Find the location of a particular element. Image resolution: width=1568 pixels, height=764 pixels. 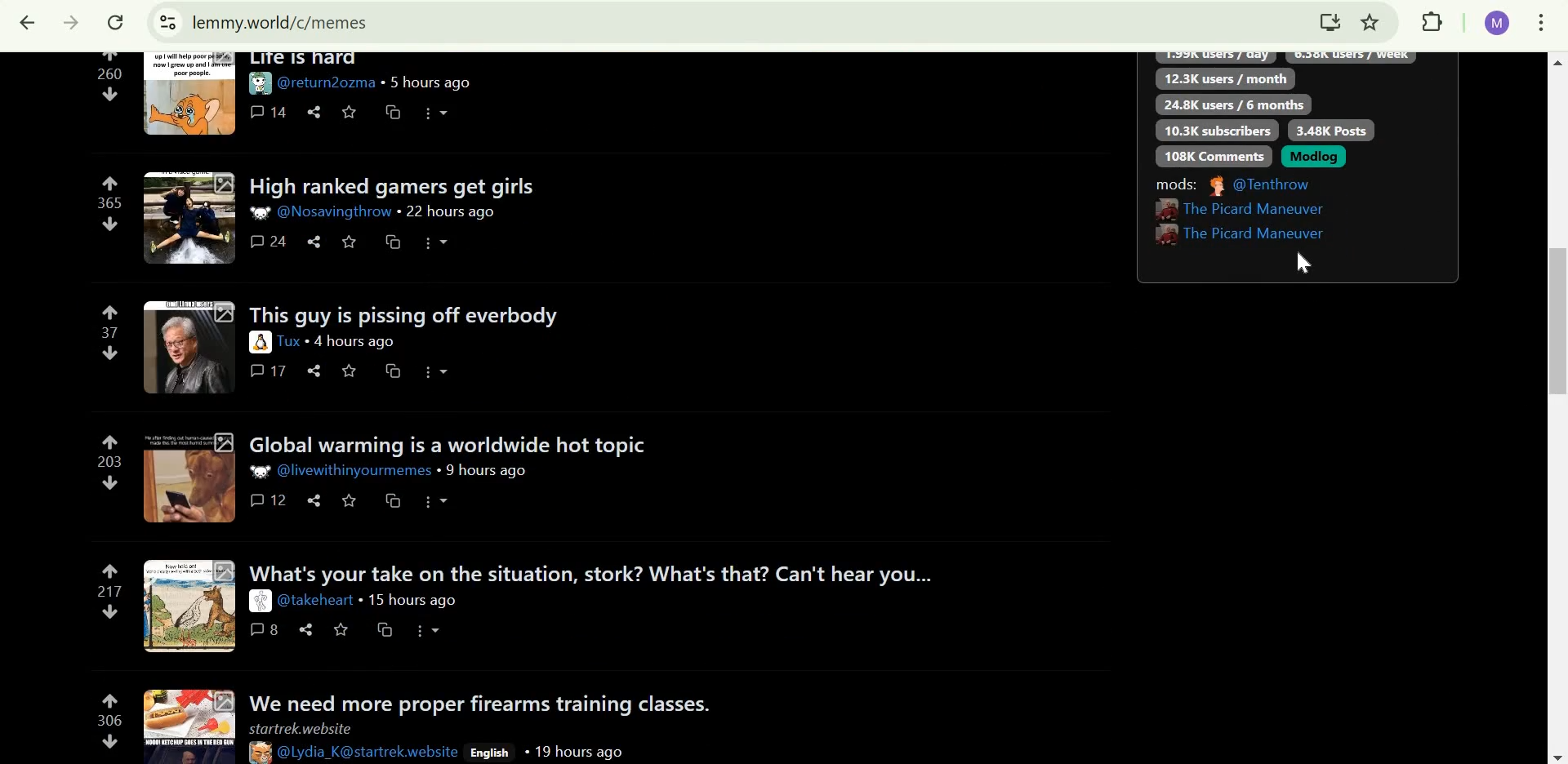

User Ids is located at coordinates (369, 750).